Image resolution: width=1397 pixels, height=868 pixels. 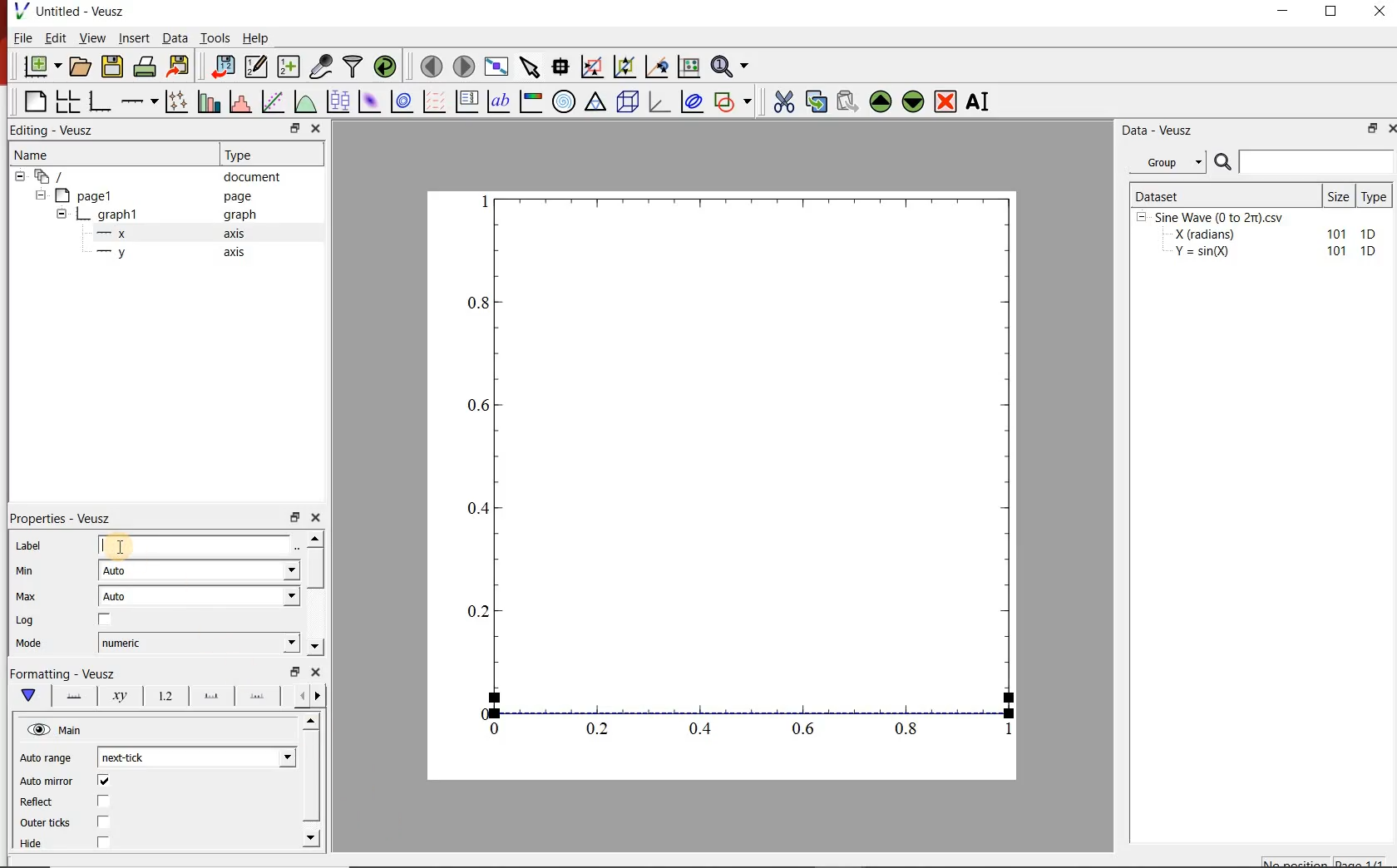 What do you see at coordinates (180, 66) in the screenshot?
I see `export to graphics` at bounding box center [180, 66].